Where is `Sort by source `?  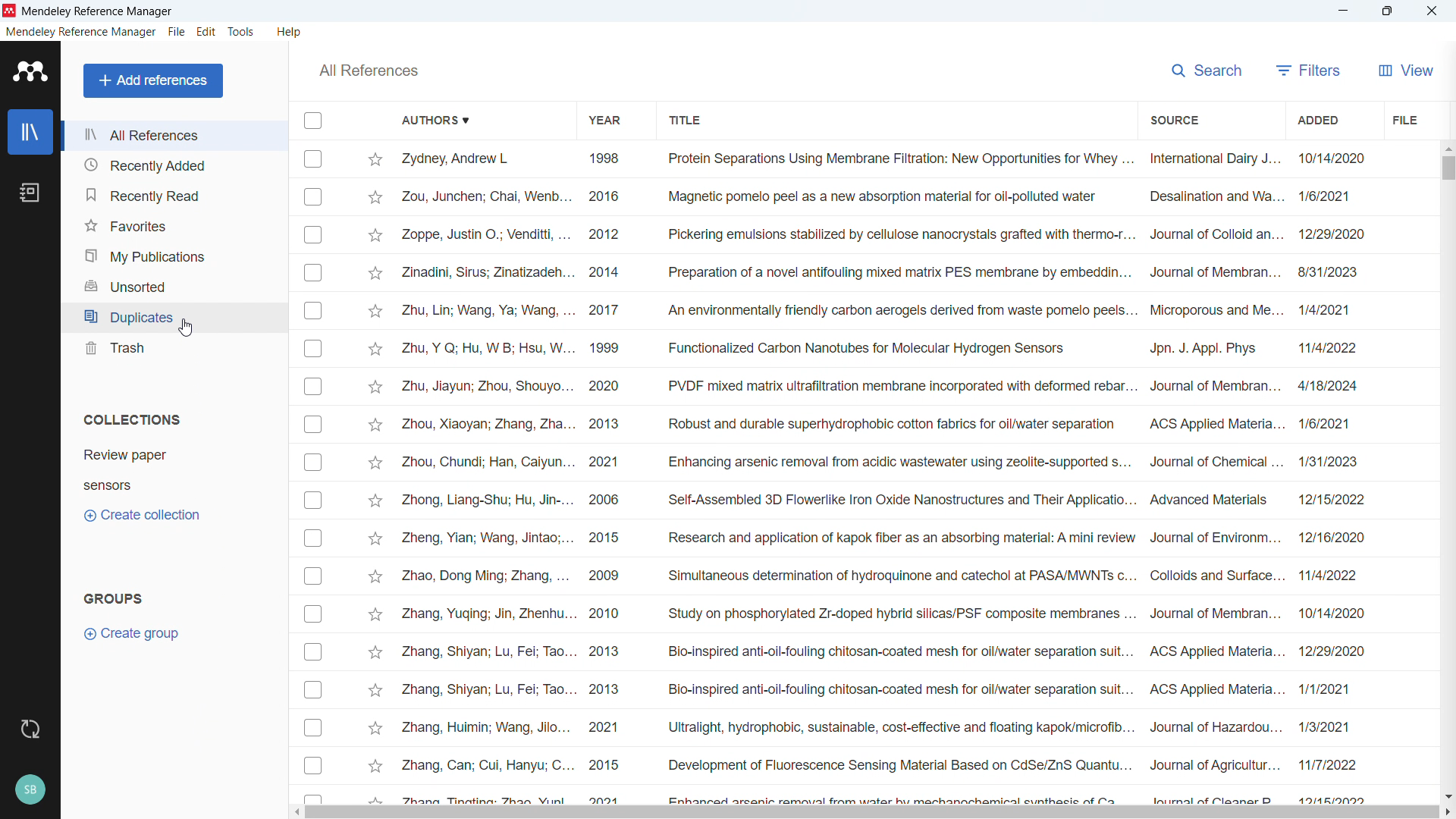
Sort by source  is located at coordinates (1173, 121).